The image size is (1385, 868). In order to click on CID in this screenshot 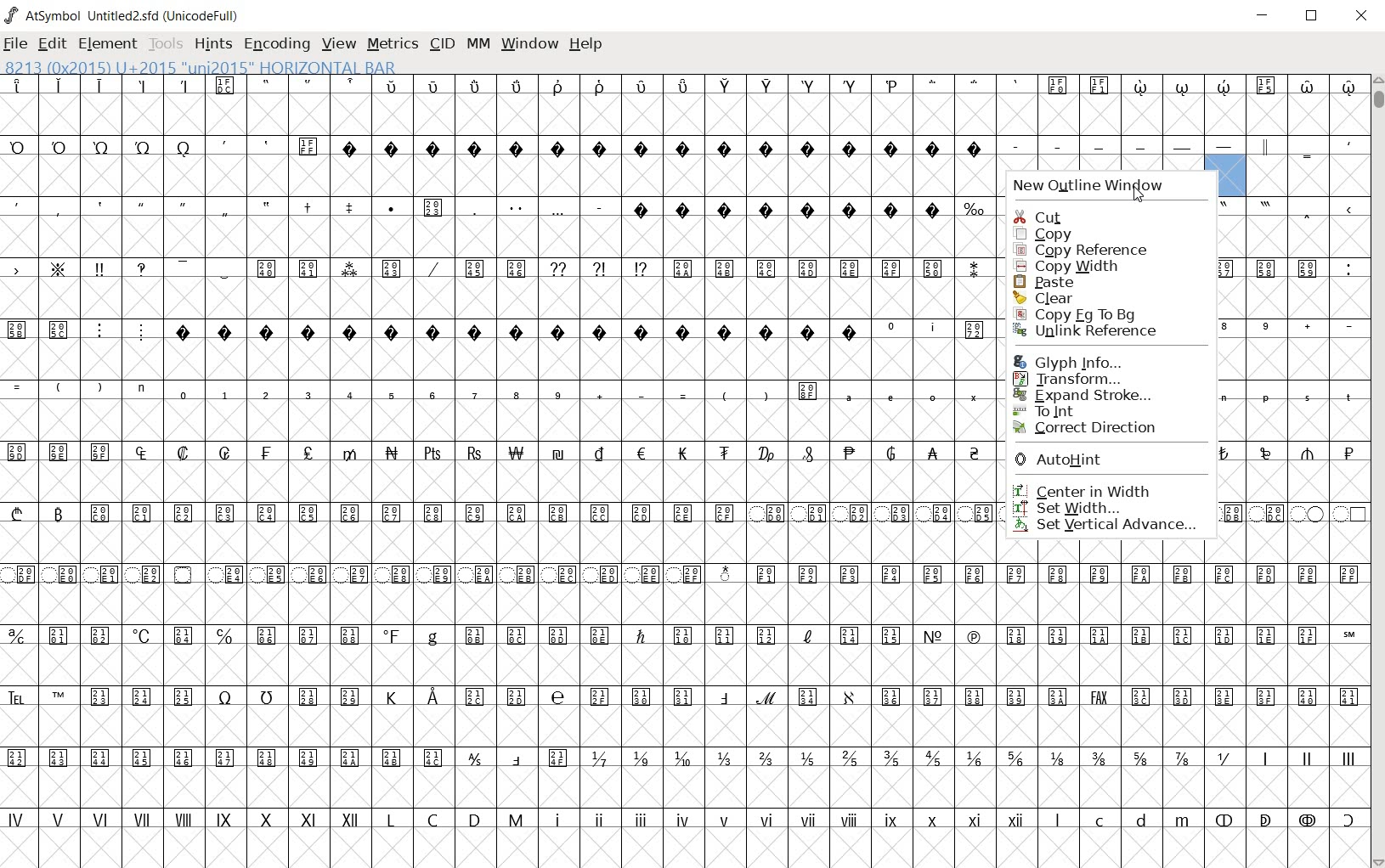, I will do `click(442, 43)`.